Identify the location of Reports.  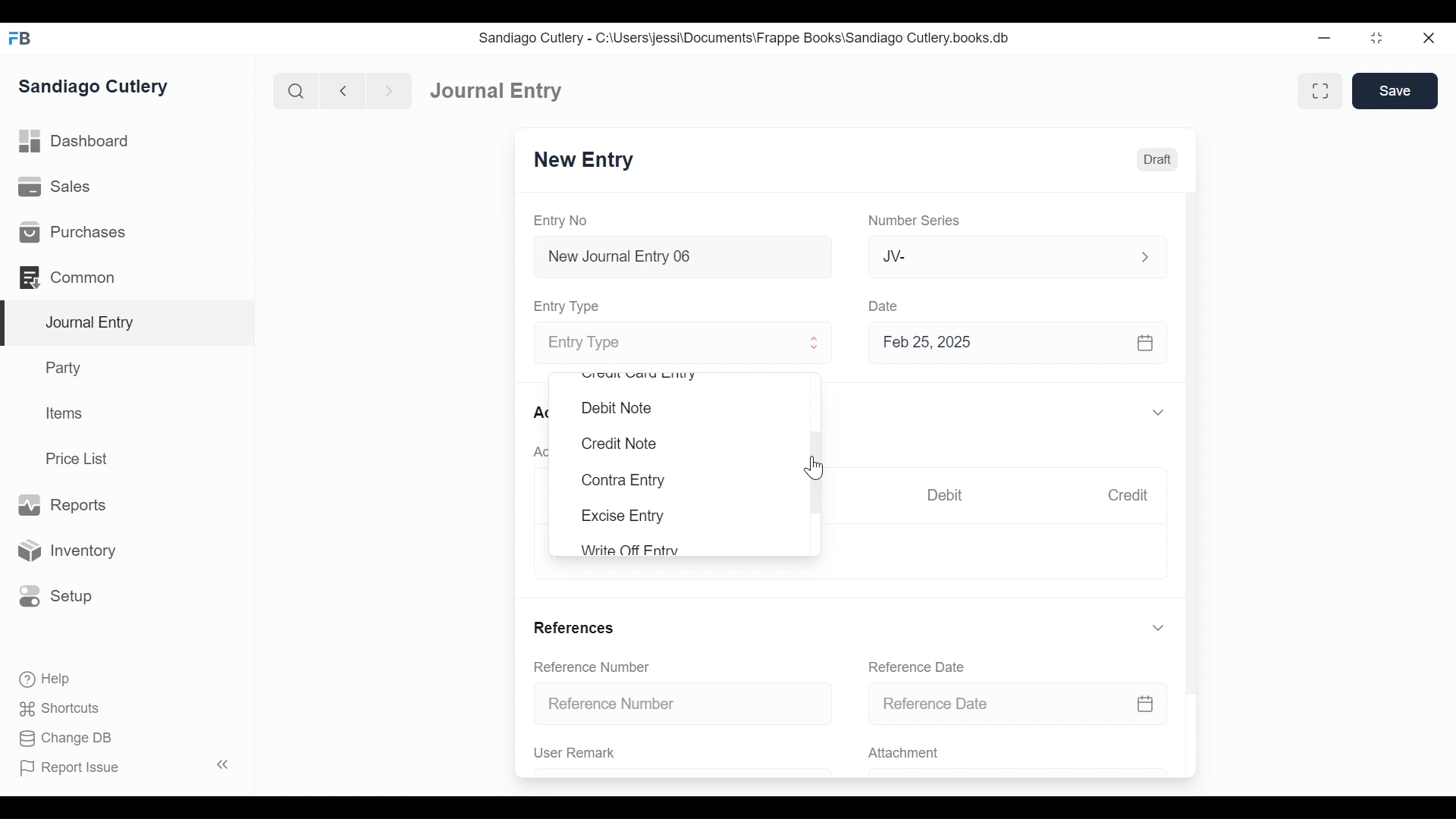
(61, 506).